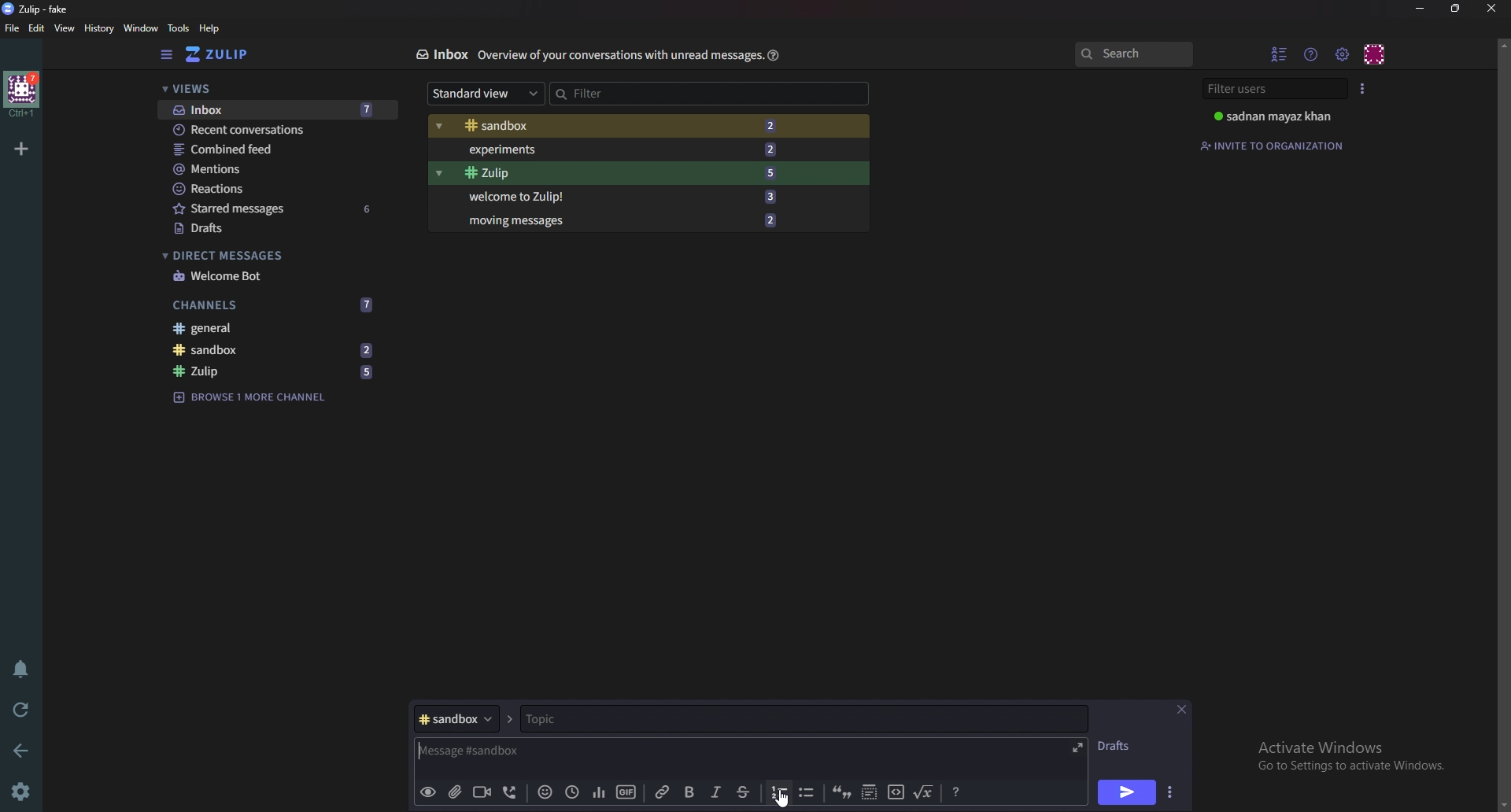  Describe the element at coordinates (258, 396) in the screenshot. I see `Browse channel` at that location.